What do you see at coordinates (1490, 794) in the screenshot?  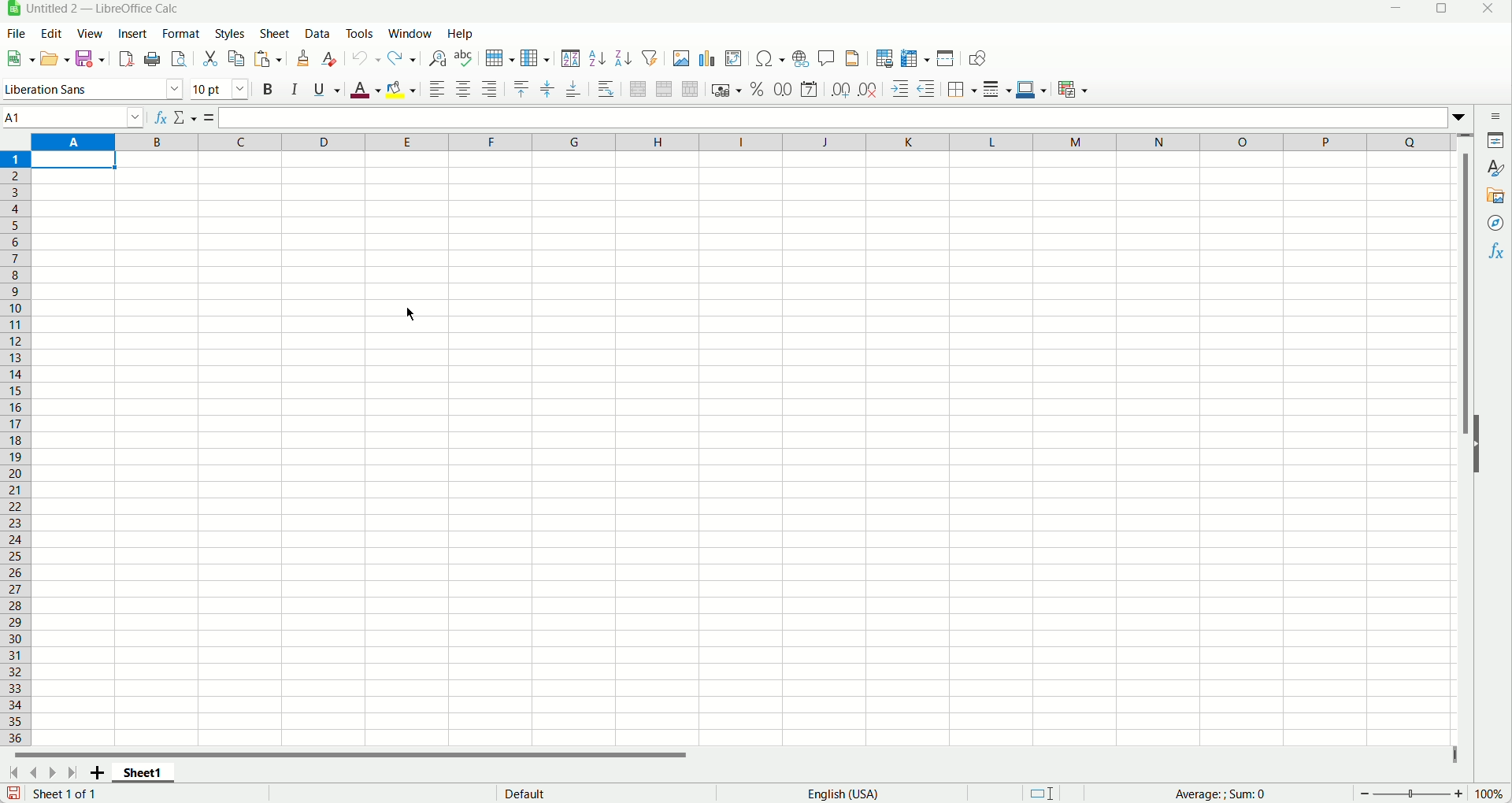 I see `Zoom percent` at bounding box center [1490, 794].